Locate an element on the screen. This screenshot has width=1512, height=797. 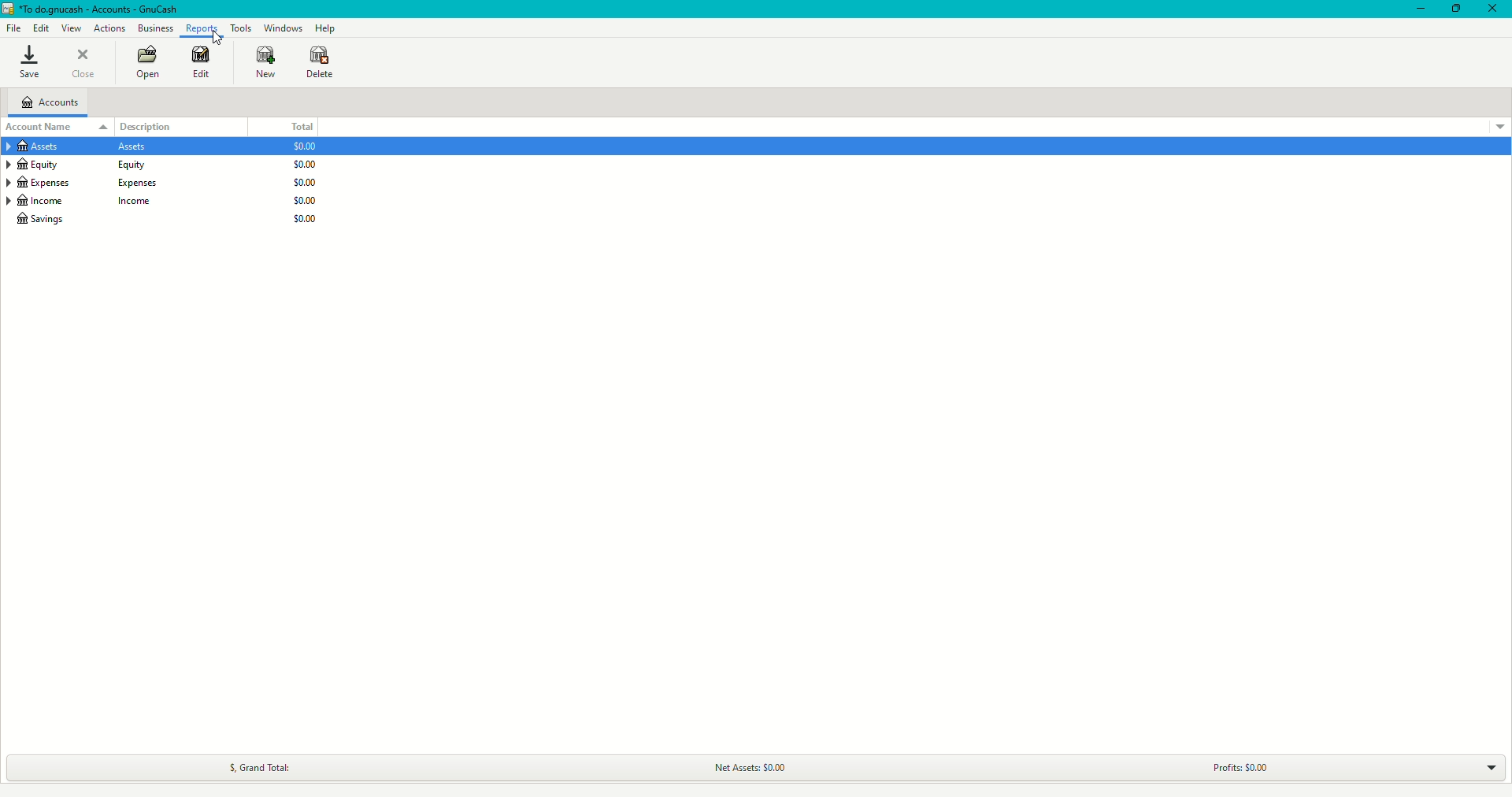
Delete is located at coordinates (321, 63).